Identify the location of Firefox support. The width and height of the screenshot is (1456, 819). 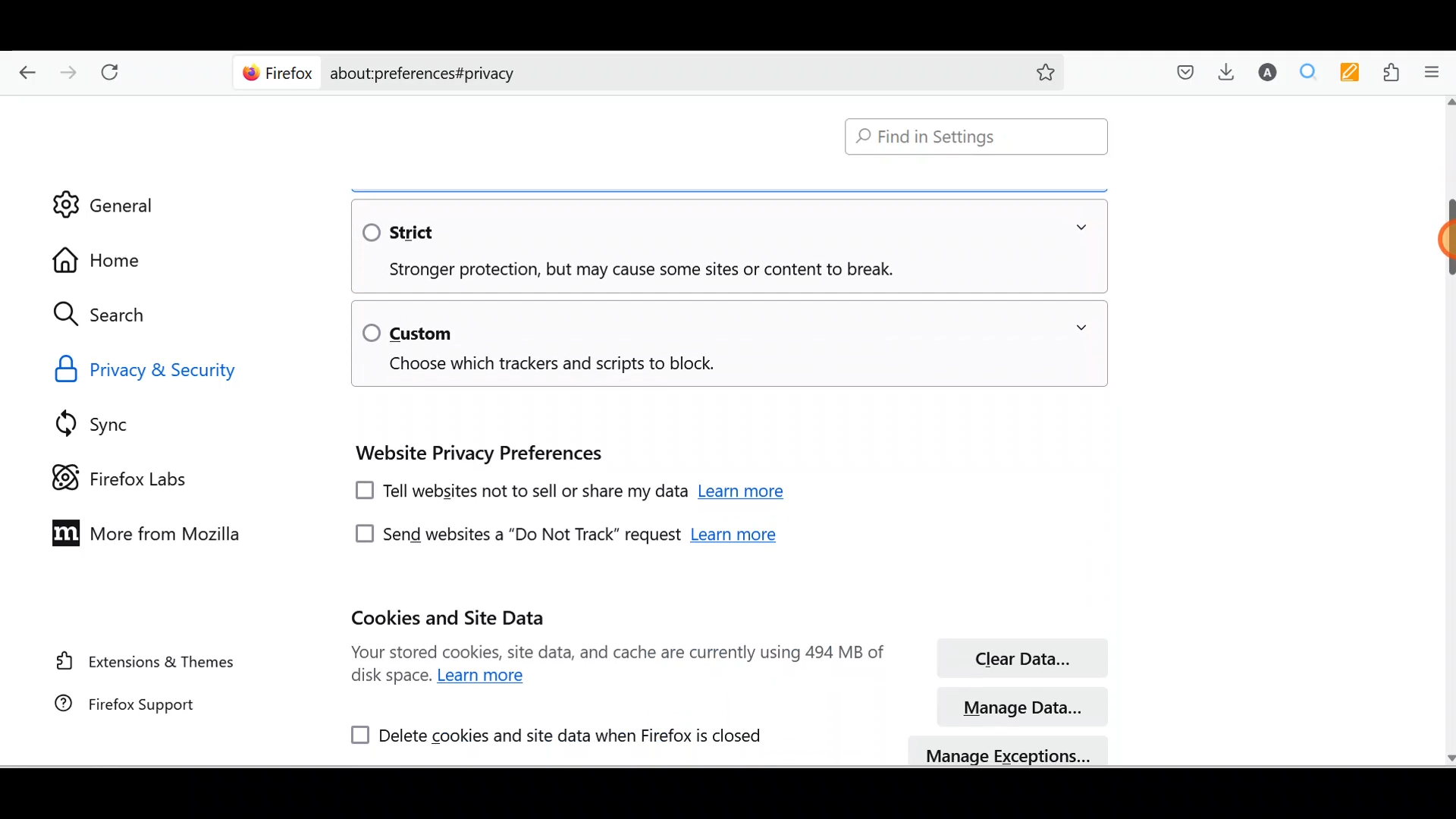
(142, 706).